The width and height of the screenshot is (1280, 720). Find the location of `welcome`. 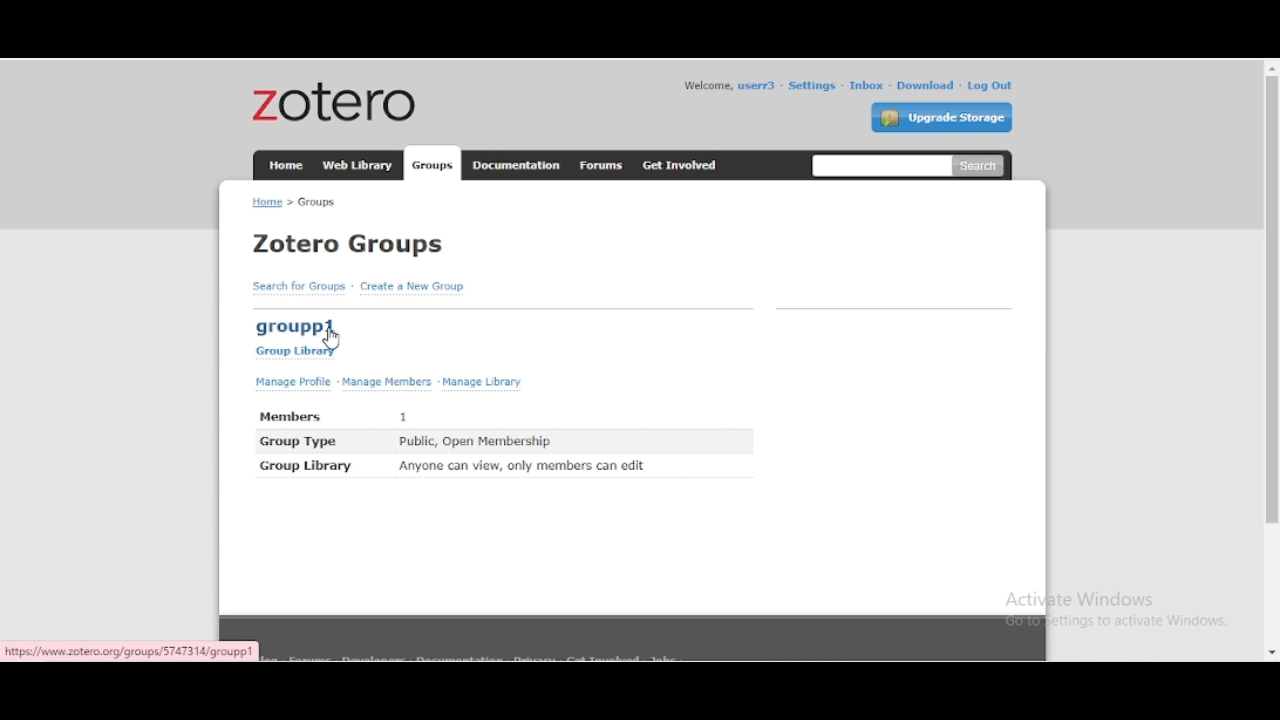

welcome is located at coordinates (706, 86).